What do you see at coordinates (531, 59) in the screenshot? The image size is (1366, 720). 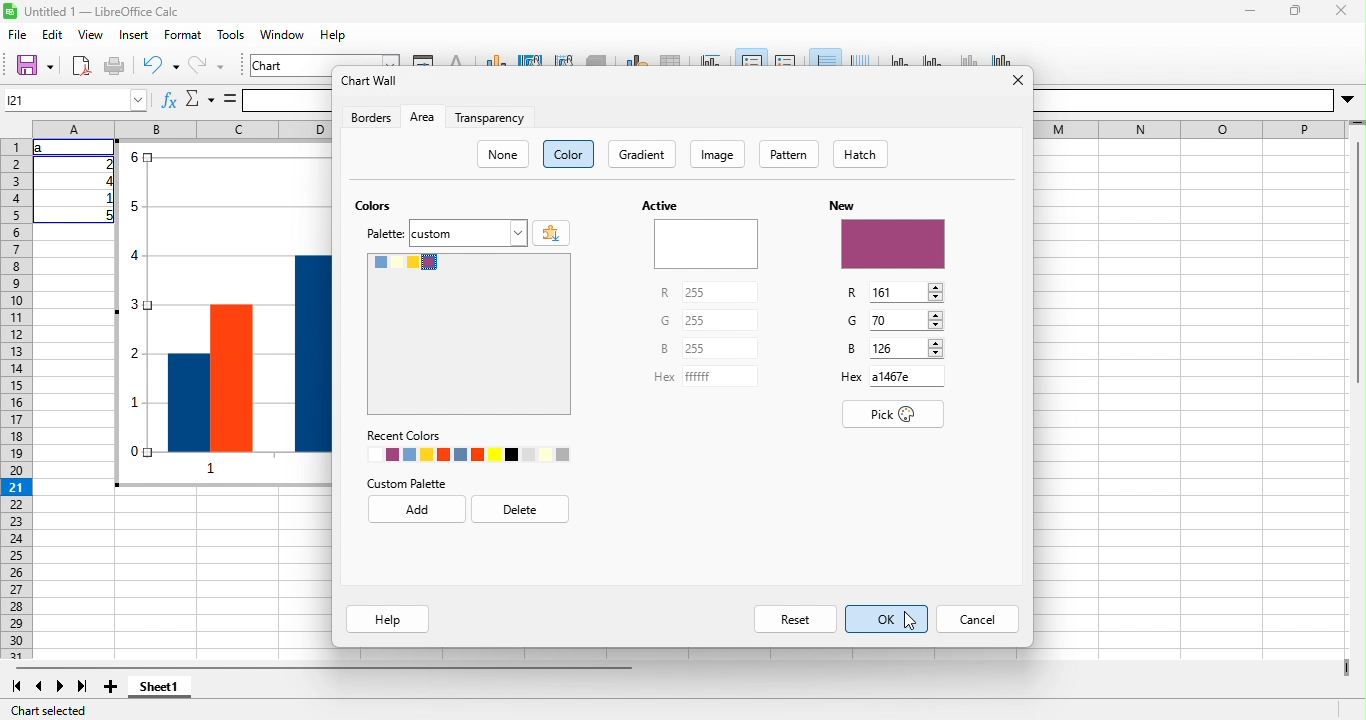 I see `chart area` at bounding box center [531, 59].